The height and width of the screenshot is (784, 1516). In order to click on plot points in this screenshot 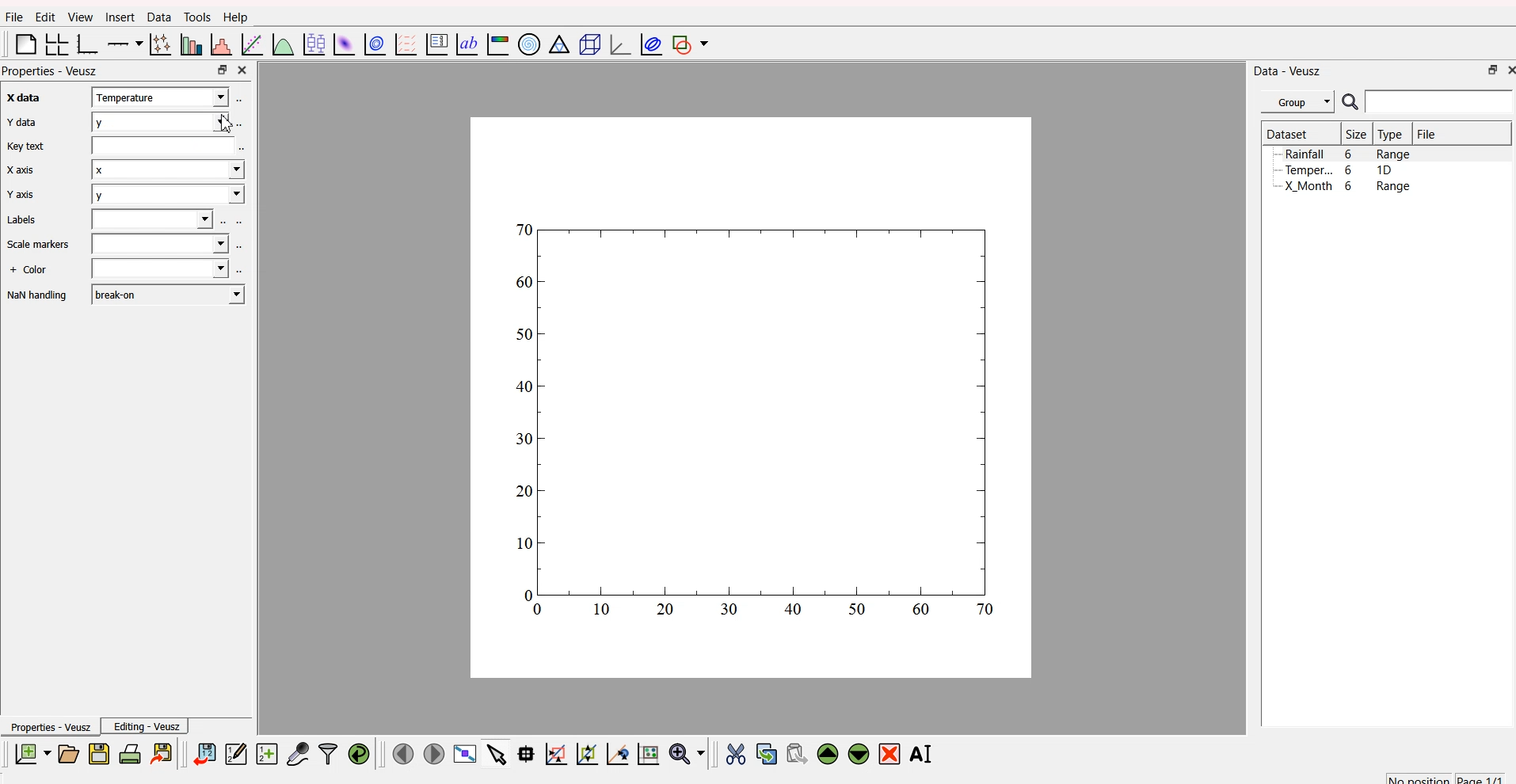, I will do `click(158, 44)`.